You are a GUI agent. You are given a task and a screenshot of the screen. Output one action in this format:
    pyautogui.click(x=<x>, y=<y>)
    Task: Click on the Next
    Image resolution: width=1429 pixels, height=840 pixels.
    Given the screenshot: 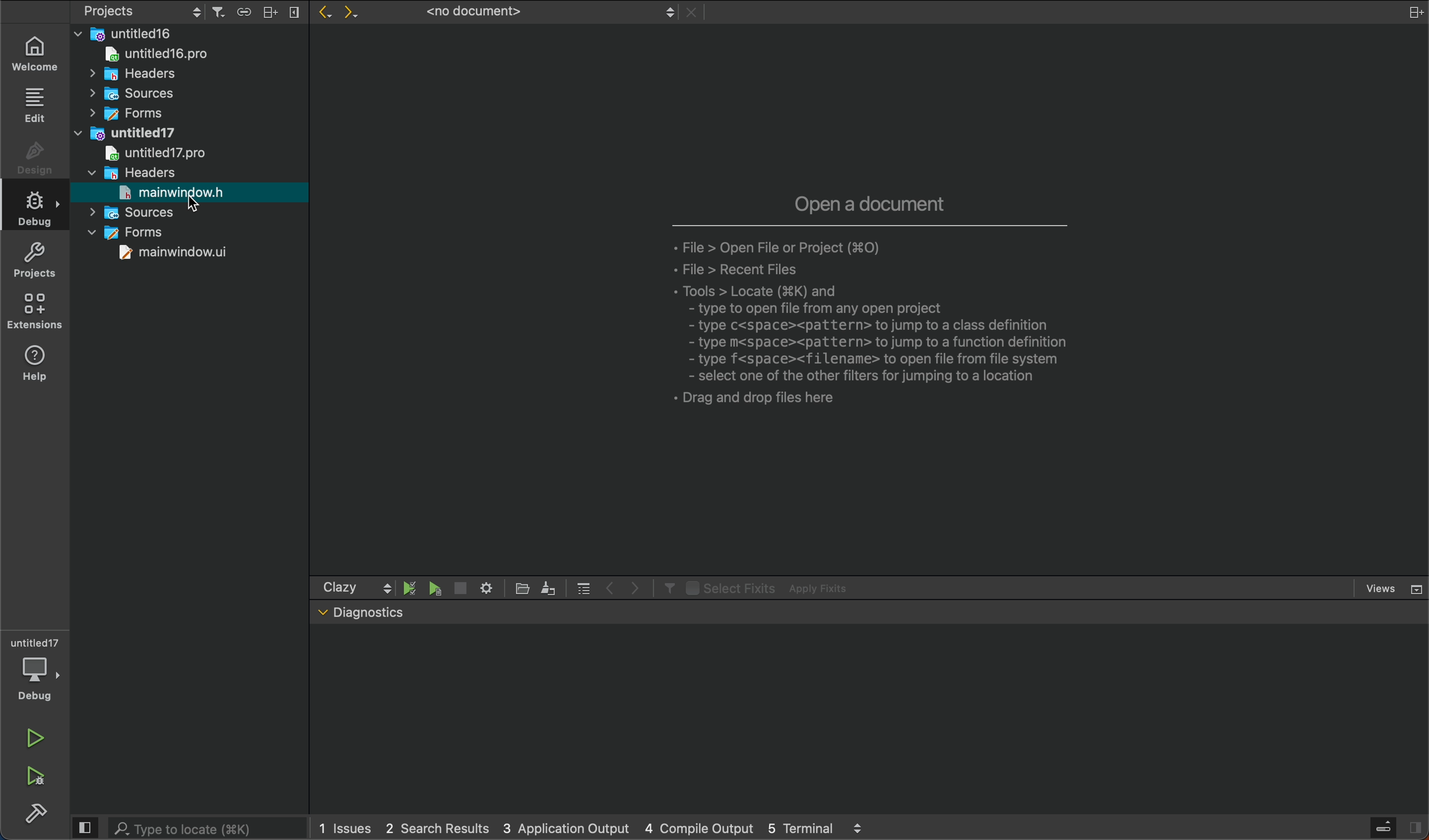 What is the action you would take?
    pyautogui.click(x=356, y=14)
    